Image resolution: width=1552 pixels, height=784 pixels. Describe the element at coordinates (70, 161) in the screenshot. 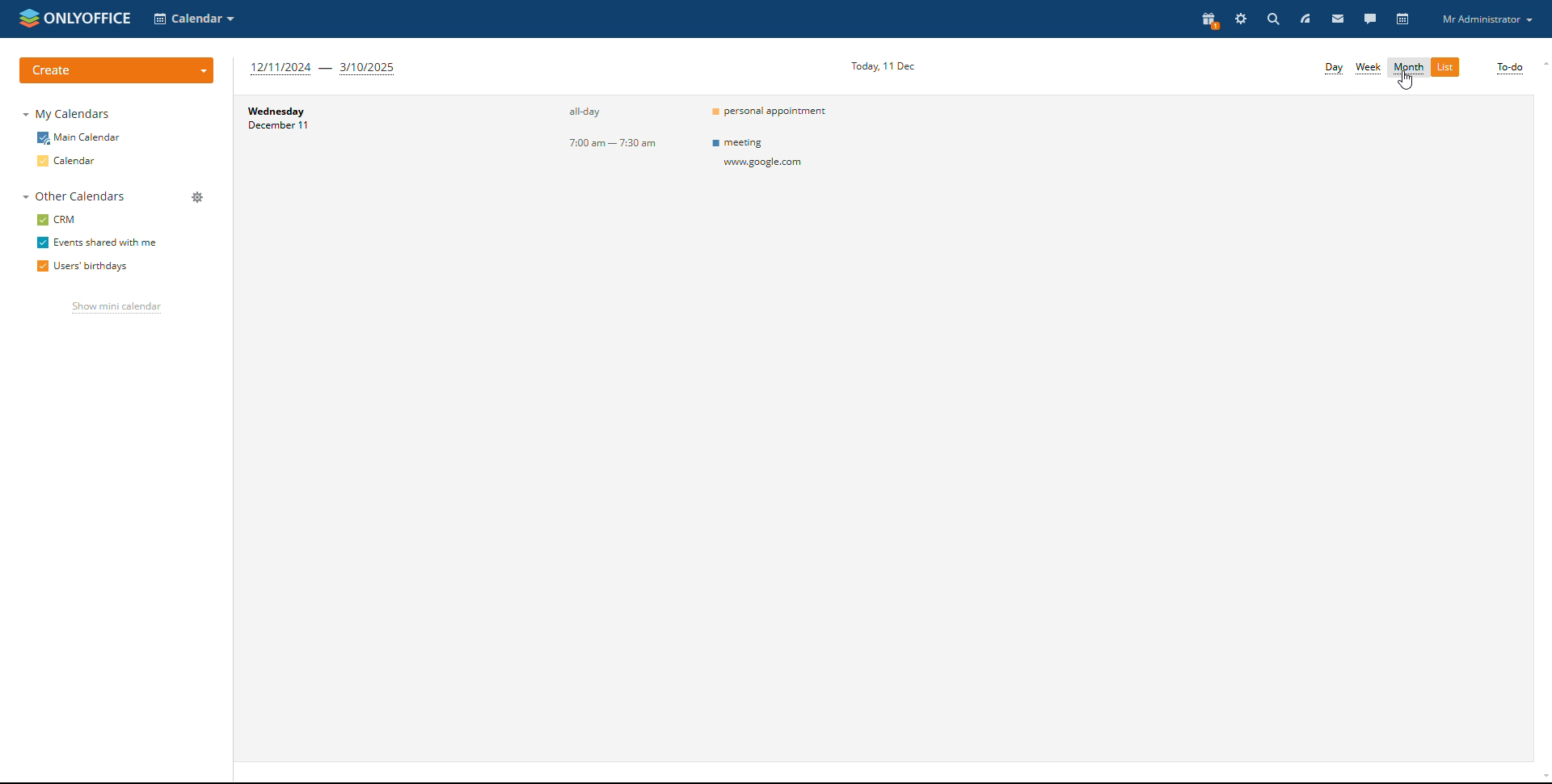

I see `calendar` at that location.